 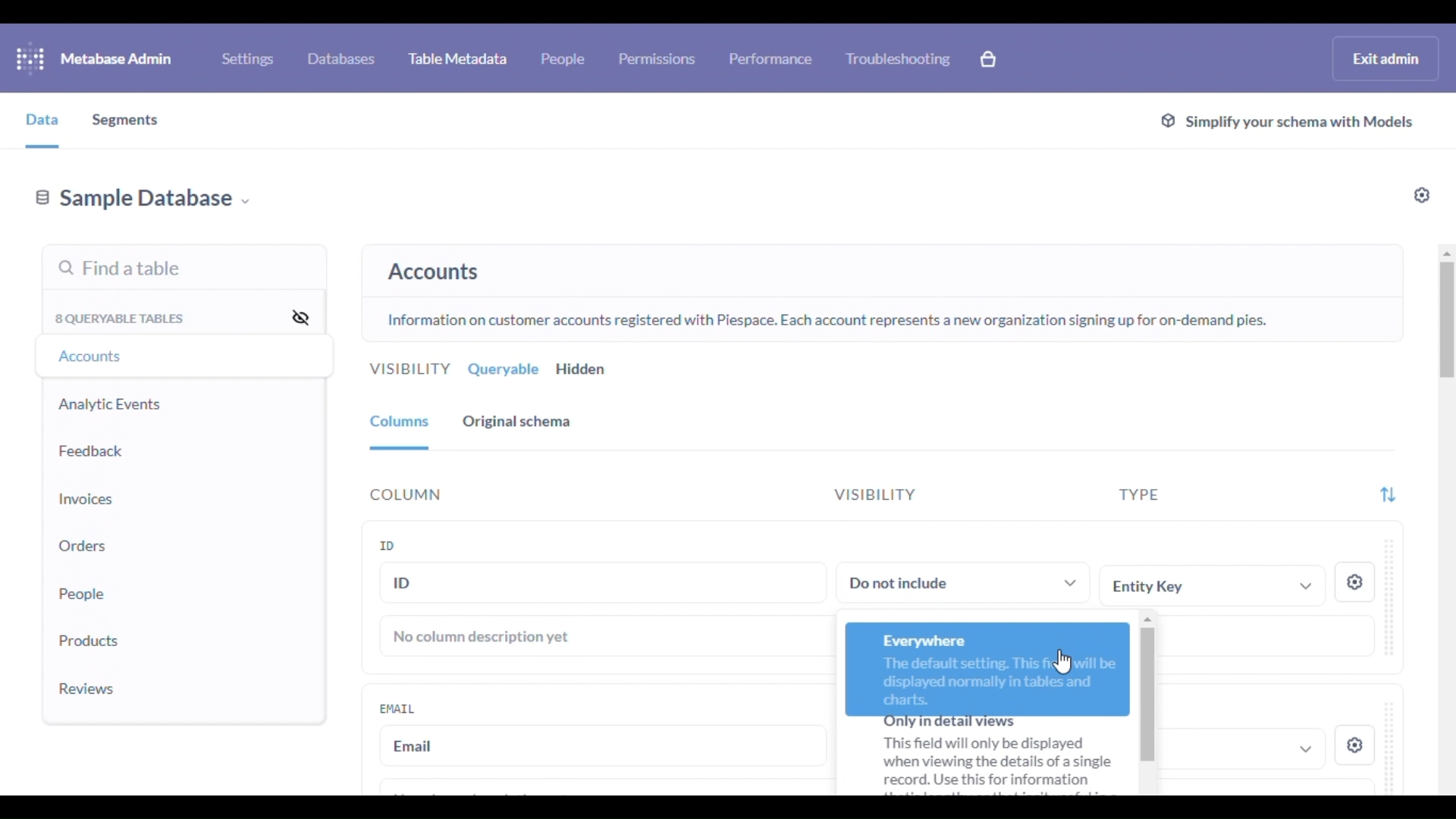 What do you see at coordinates (772, 58) in the screenshot?
I see `performance` at bounding box center [772, 58].